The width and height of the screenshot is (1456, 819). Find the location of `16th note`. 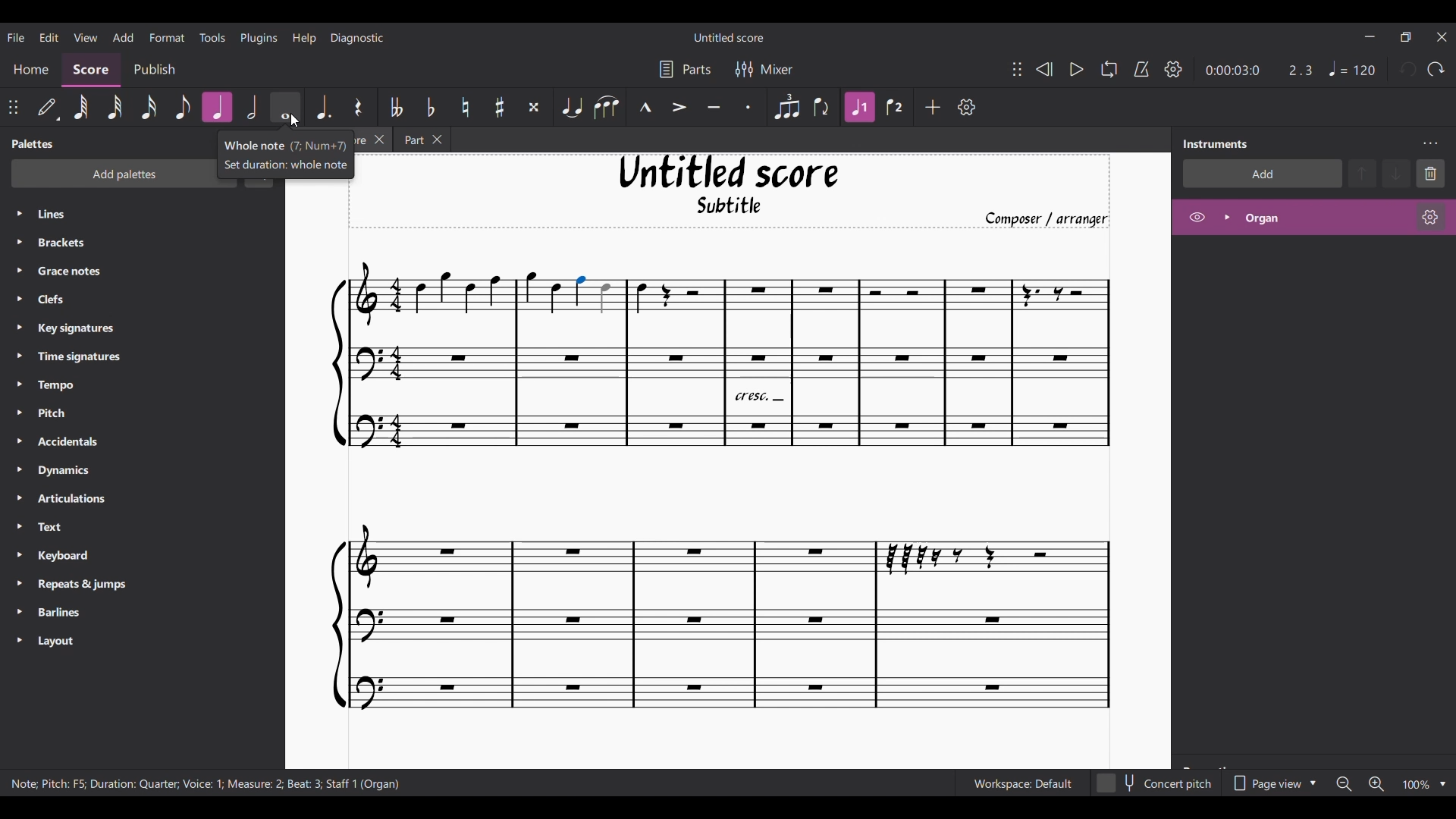

16th note is located at coordinates (149, 107).